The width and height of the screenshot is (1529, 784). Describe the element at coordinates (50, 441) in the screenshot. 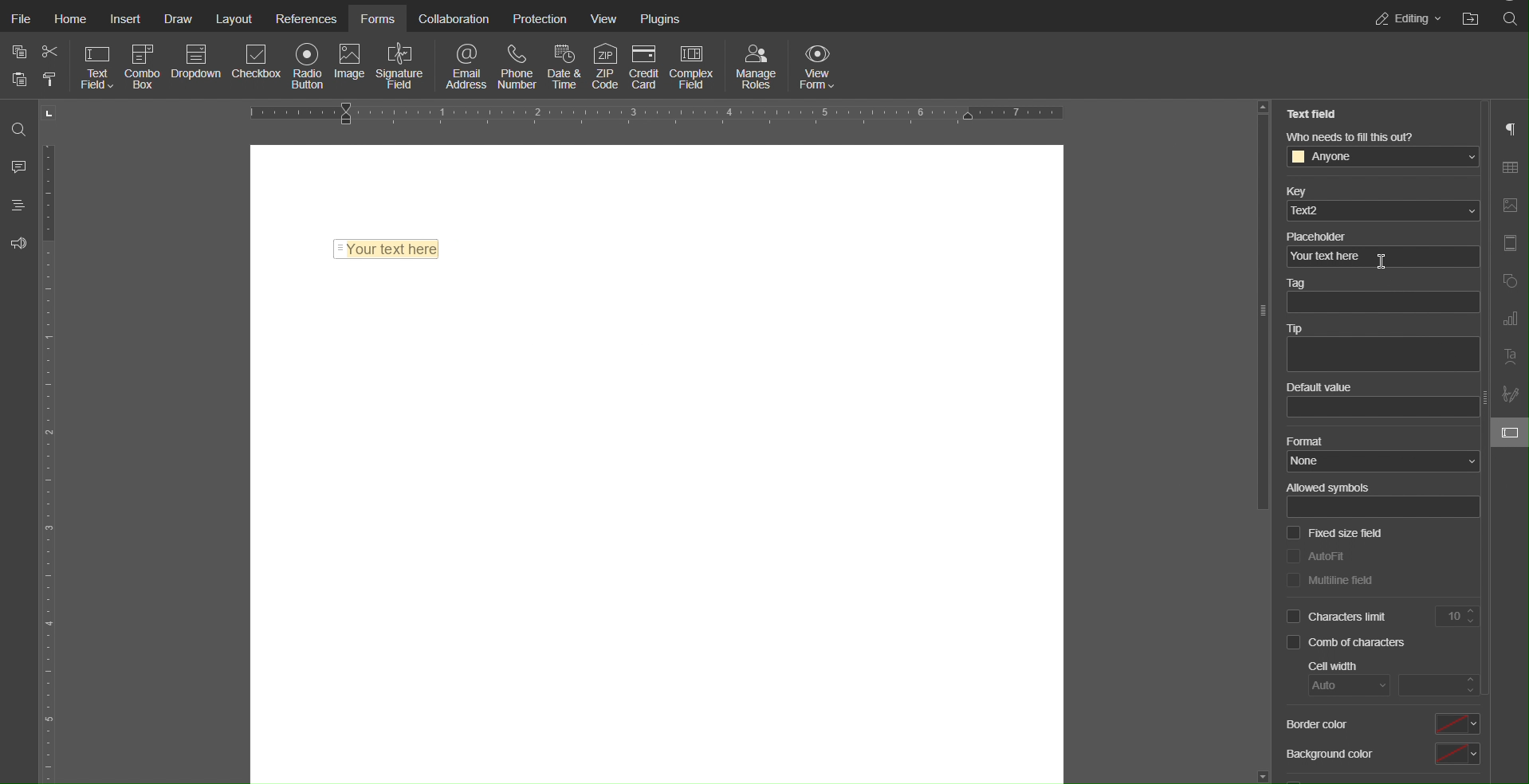

I see `Vertical Ruler` at that location.